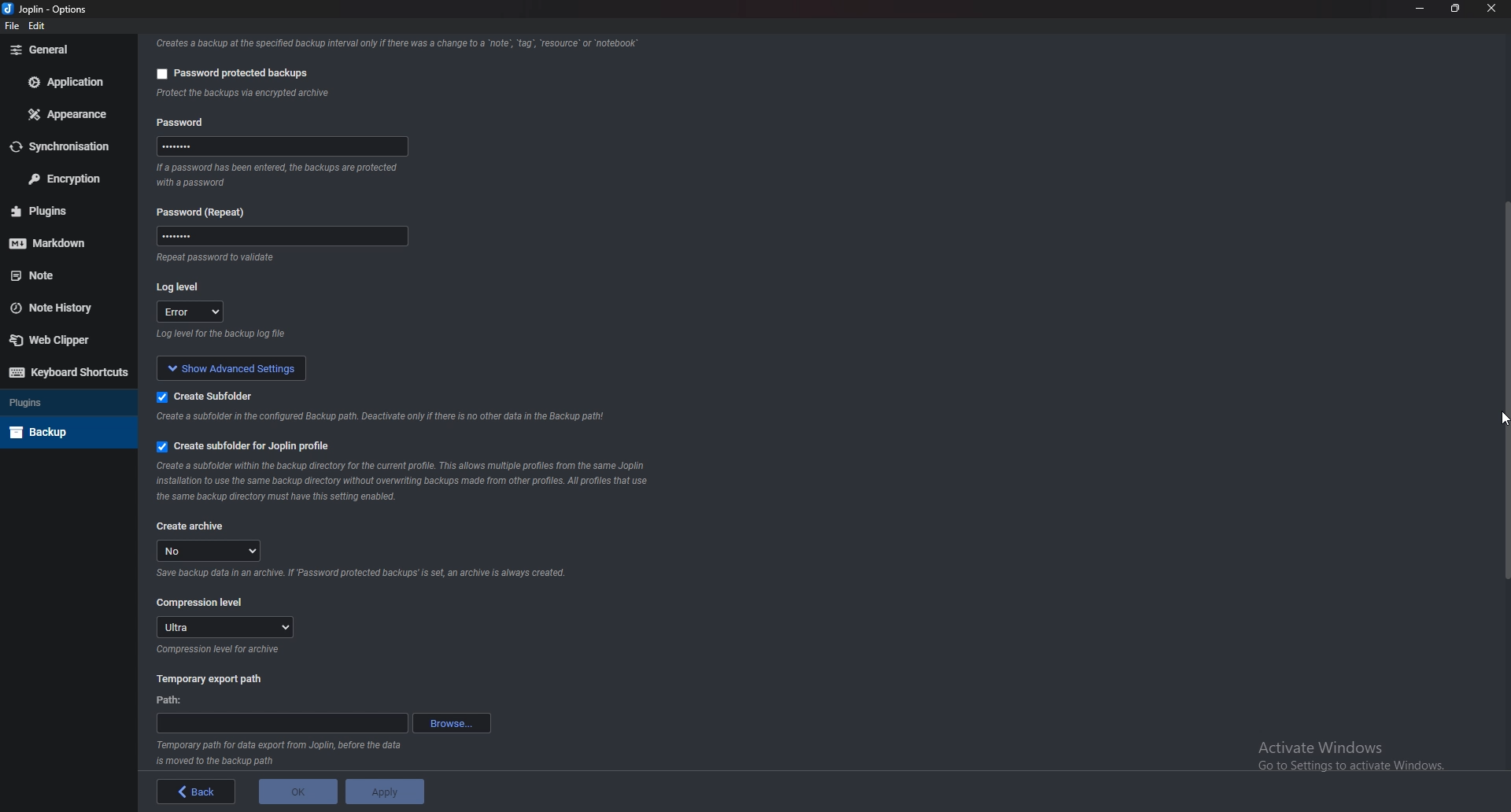  What do you see at coordinates (184, 286) in the screenshot?
I see `log level` at bounding box center [184, 286].